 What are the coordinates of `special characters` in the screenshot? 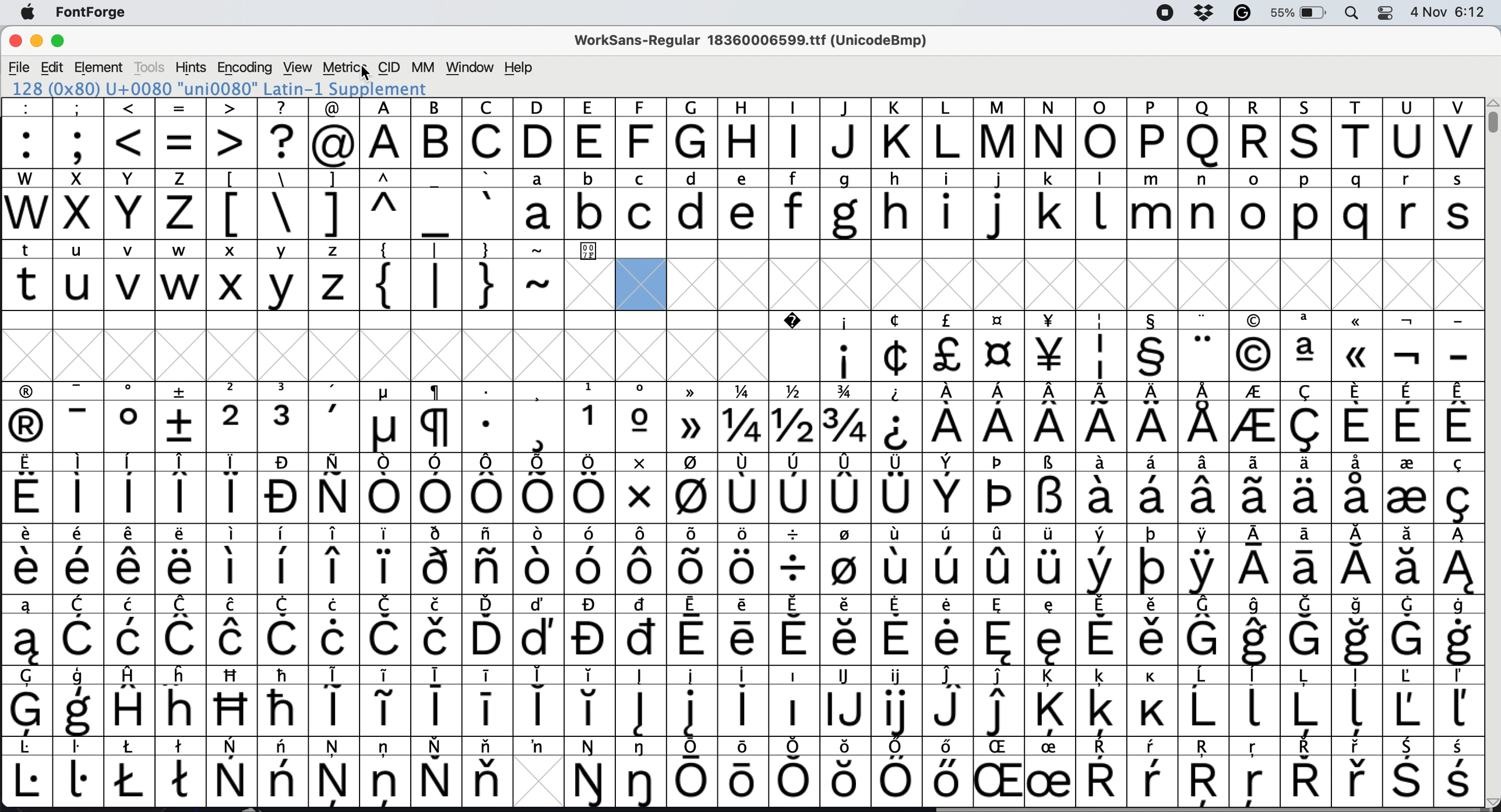 It's located at (739, 675).